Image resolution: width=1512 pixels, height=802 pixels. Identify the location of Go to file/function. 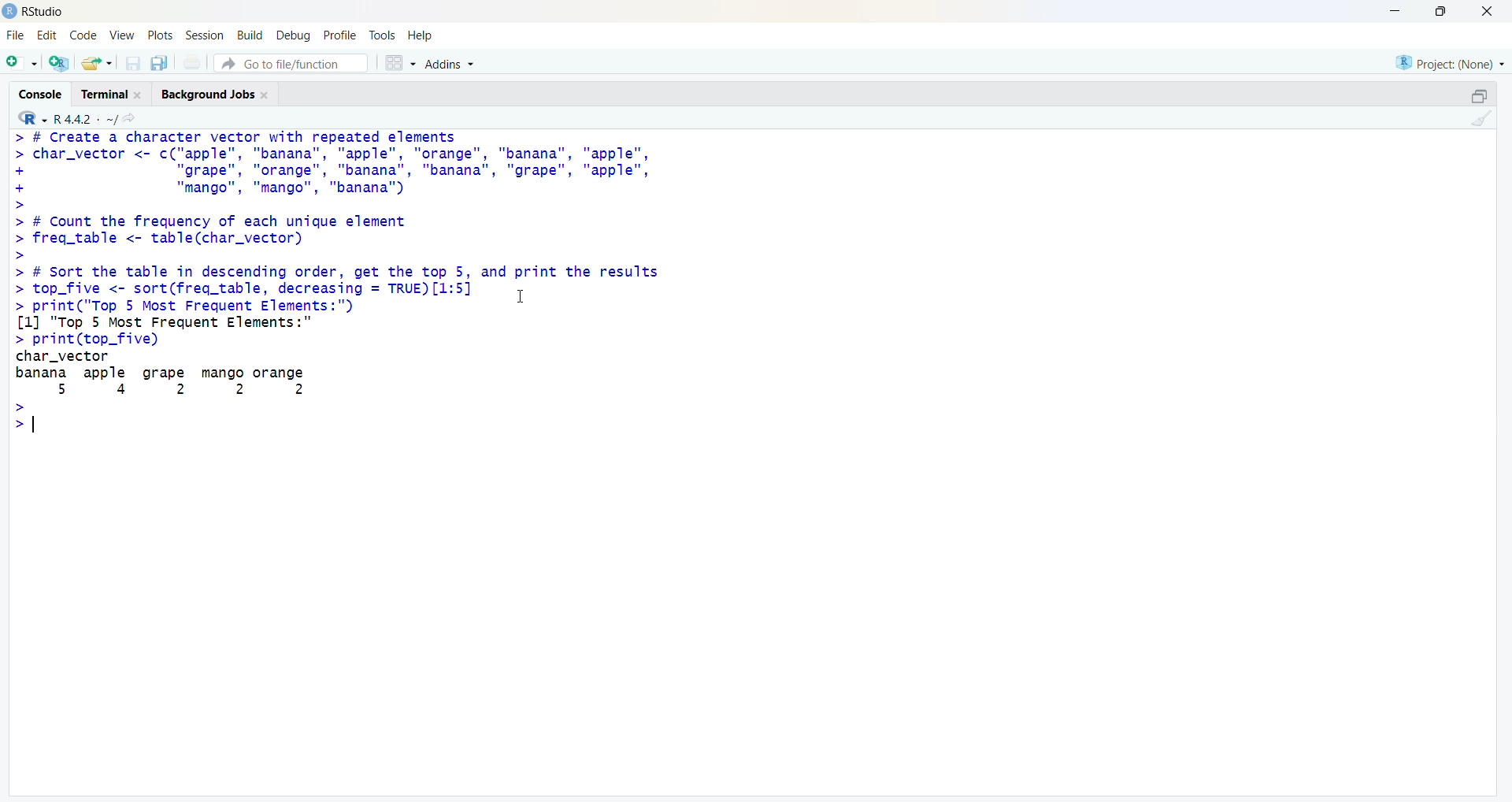
(292, 63).